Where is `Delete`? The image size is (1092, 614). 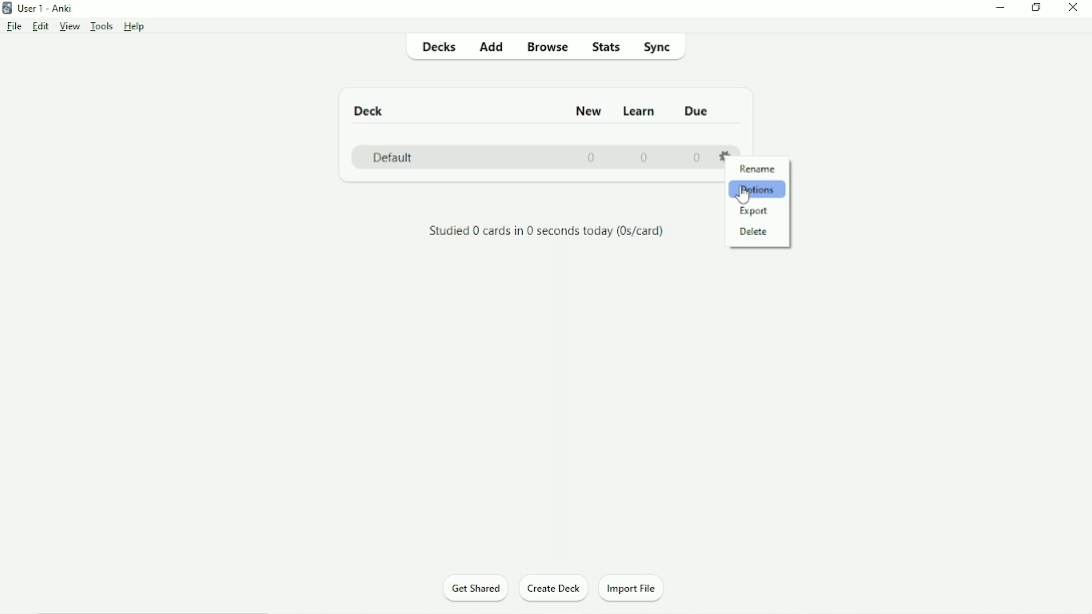 Delete is located at coordinates (755, 232).